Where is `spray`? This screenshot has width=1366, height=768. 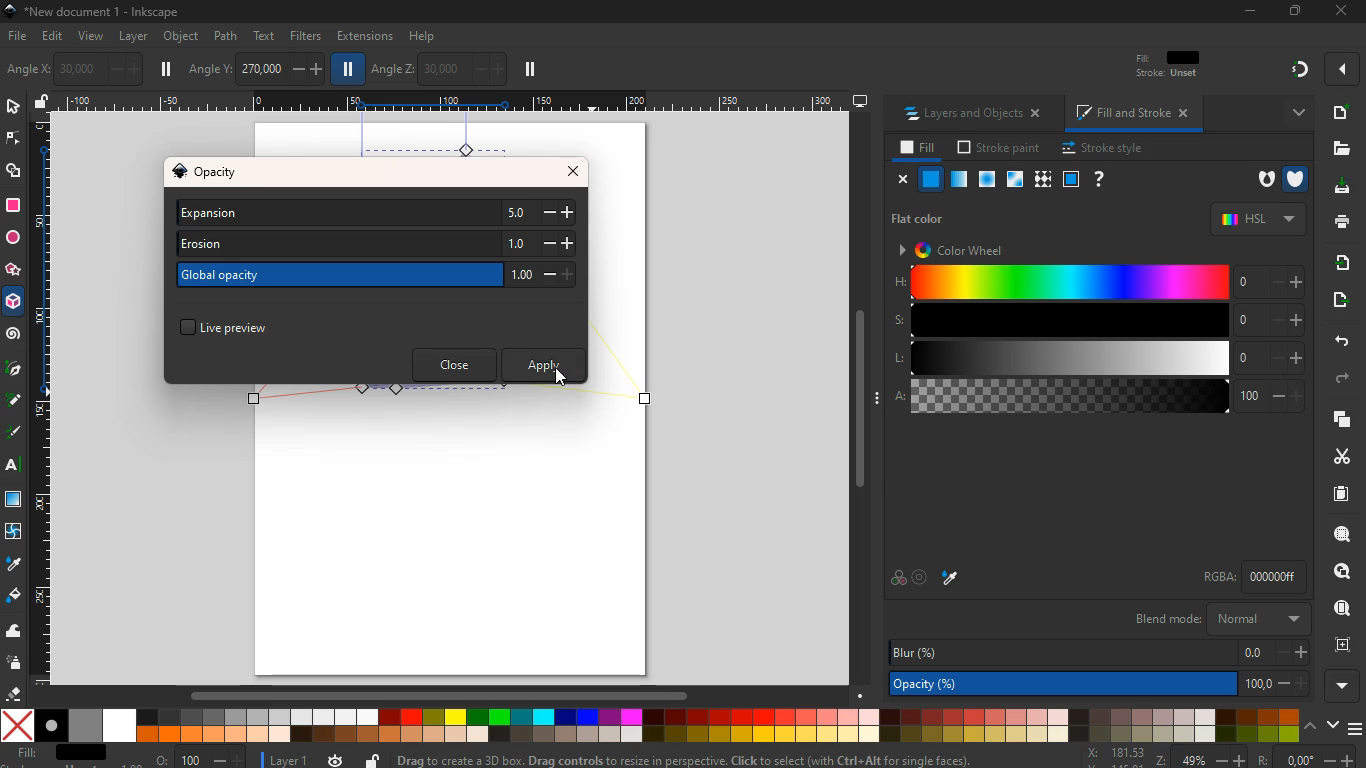 spray is located at coordinates (15, 664).